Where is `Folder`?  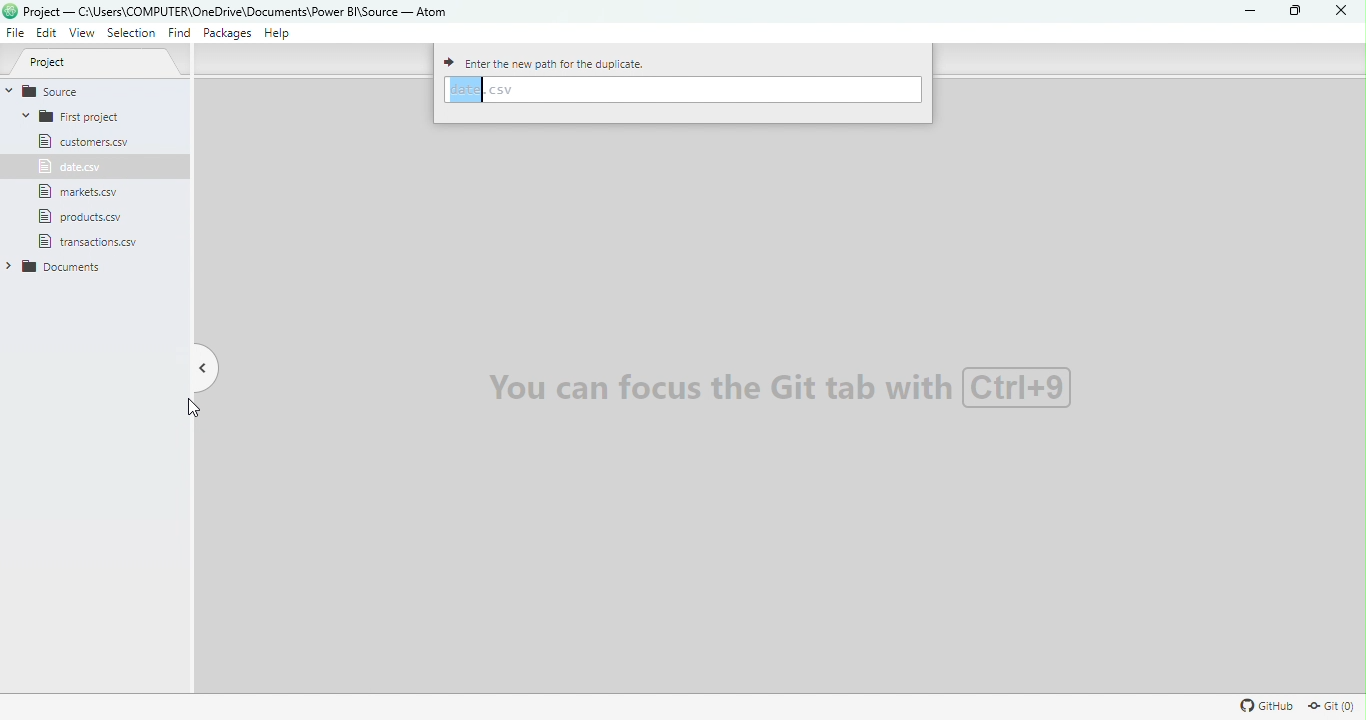 Folder is located at coordinates (56, 266).